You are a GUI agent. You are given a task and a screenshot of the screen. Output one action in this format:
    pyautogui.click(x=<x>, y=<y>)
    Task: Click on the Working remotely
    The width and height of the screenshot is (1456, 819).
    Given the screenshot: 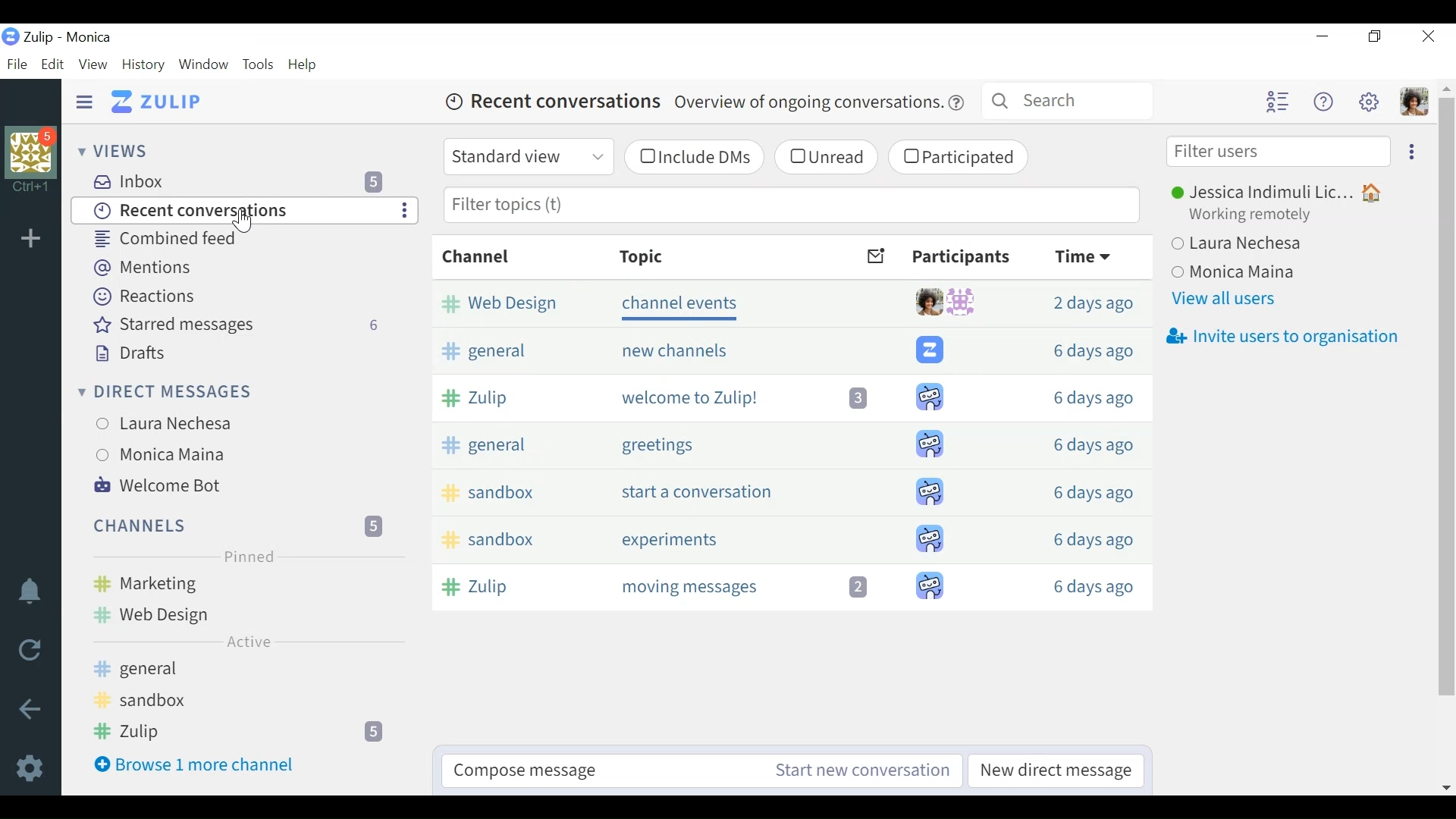 What is the action you would take?
    pyautogui.click(x=1255, y=217)
    